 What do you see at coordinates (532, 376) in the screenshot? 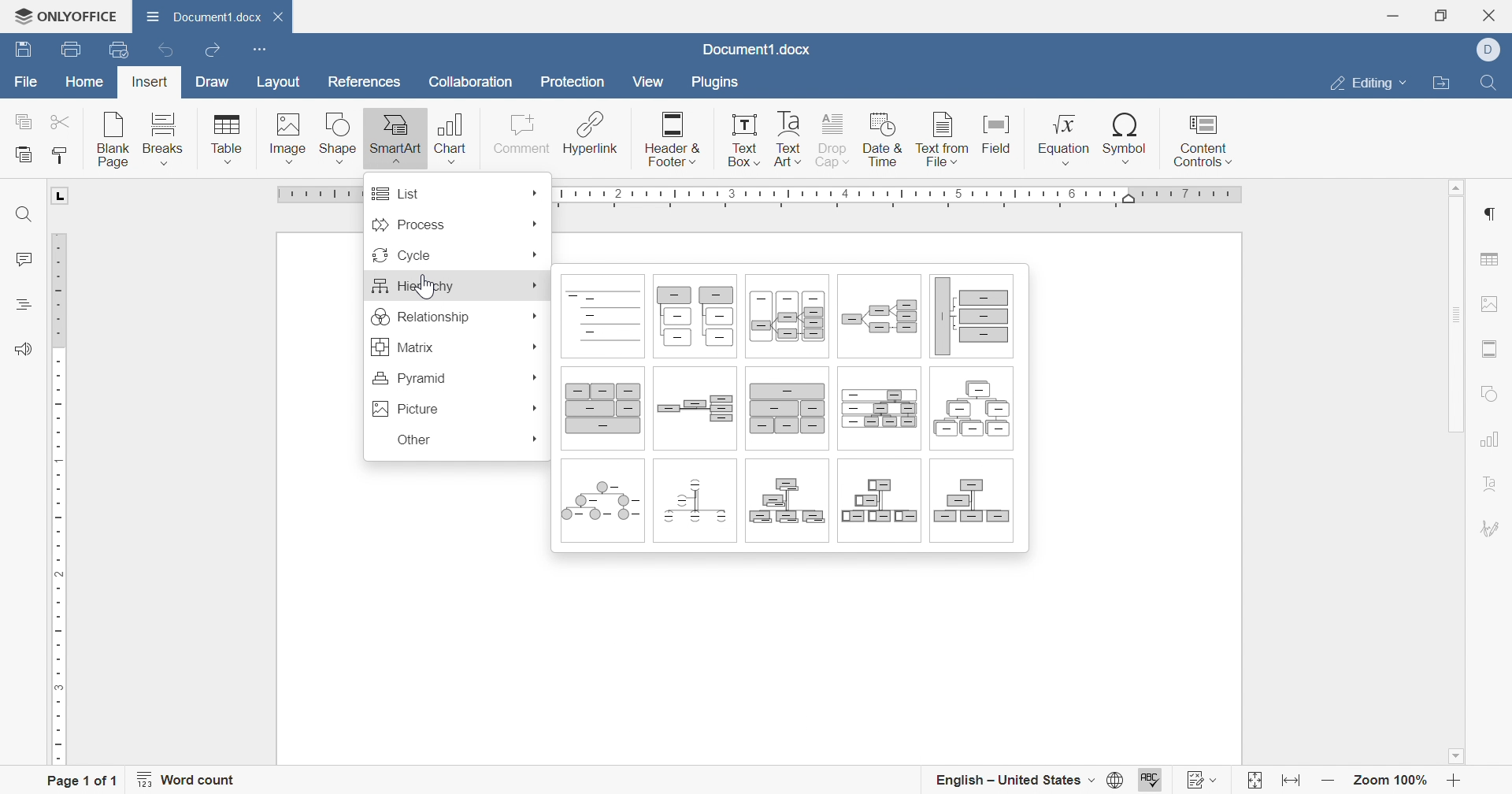
I see `More` at bounding box center [532, 376].